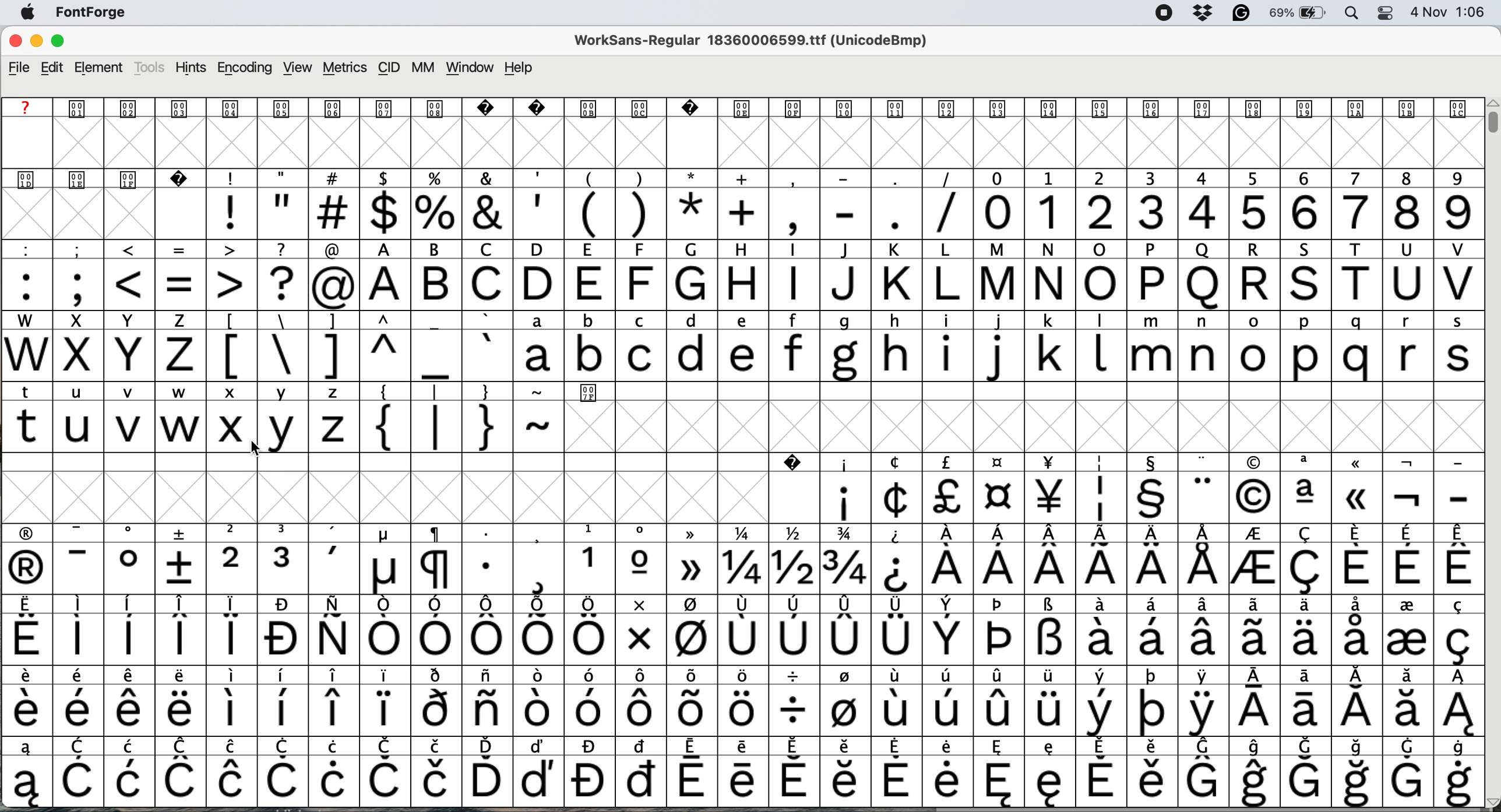 This screenshot has height=812, width=1501. Describe the element at coordinates (918, 286) in the screenshot. I see `capital letters a to v` at that location.